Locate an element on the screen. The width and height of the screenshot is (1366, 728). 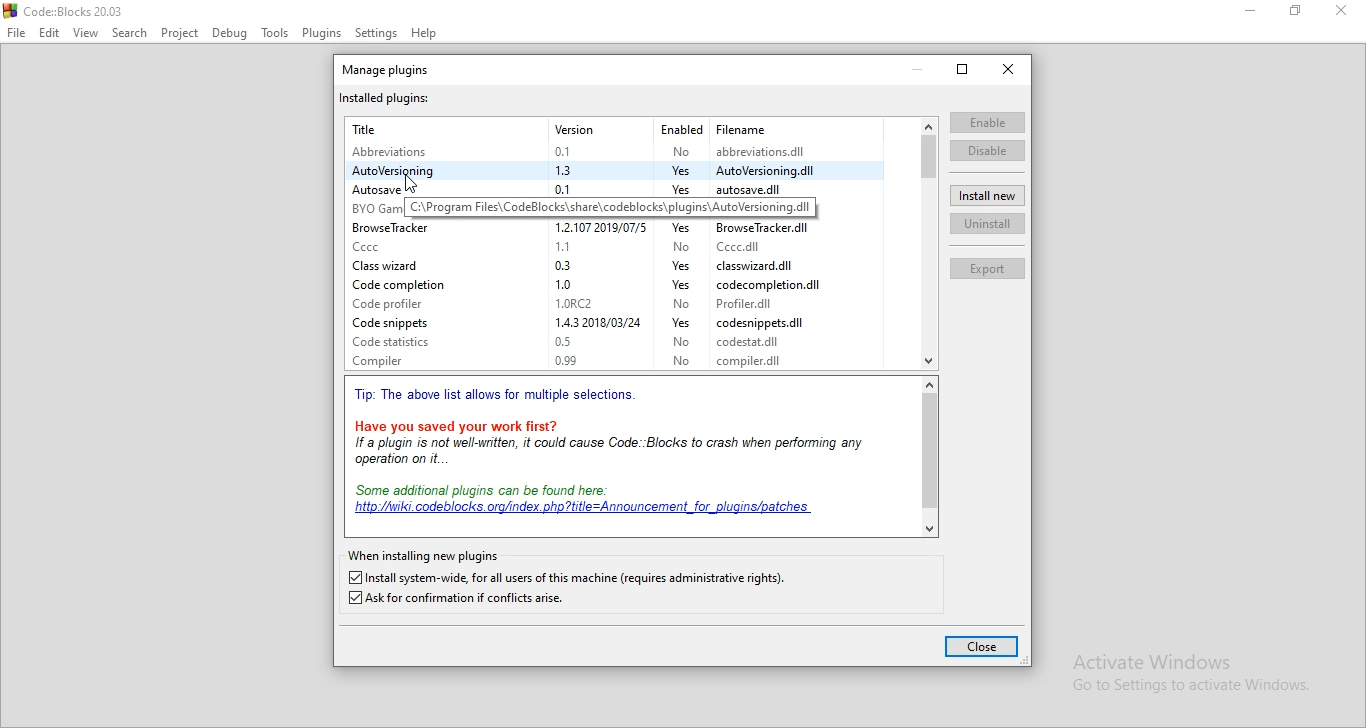
Ask for confirmation if conflicts arise. is located at coordinates (470, 599).